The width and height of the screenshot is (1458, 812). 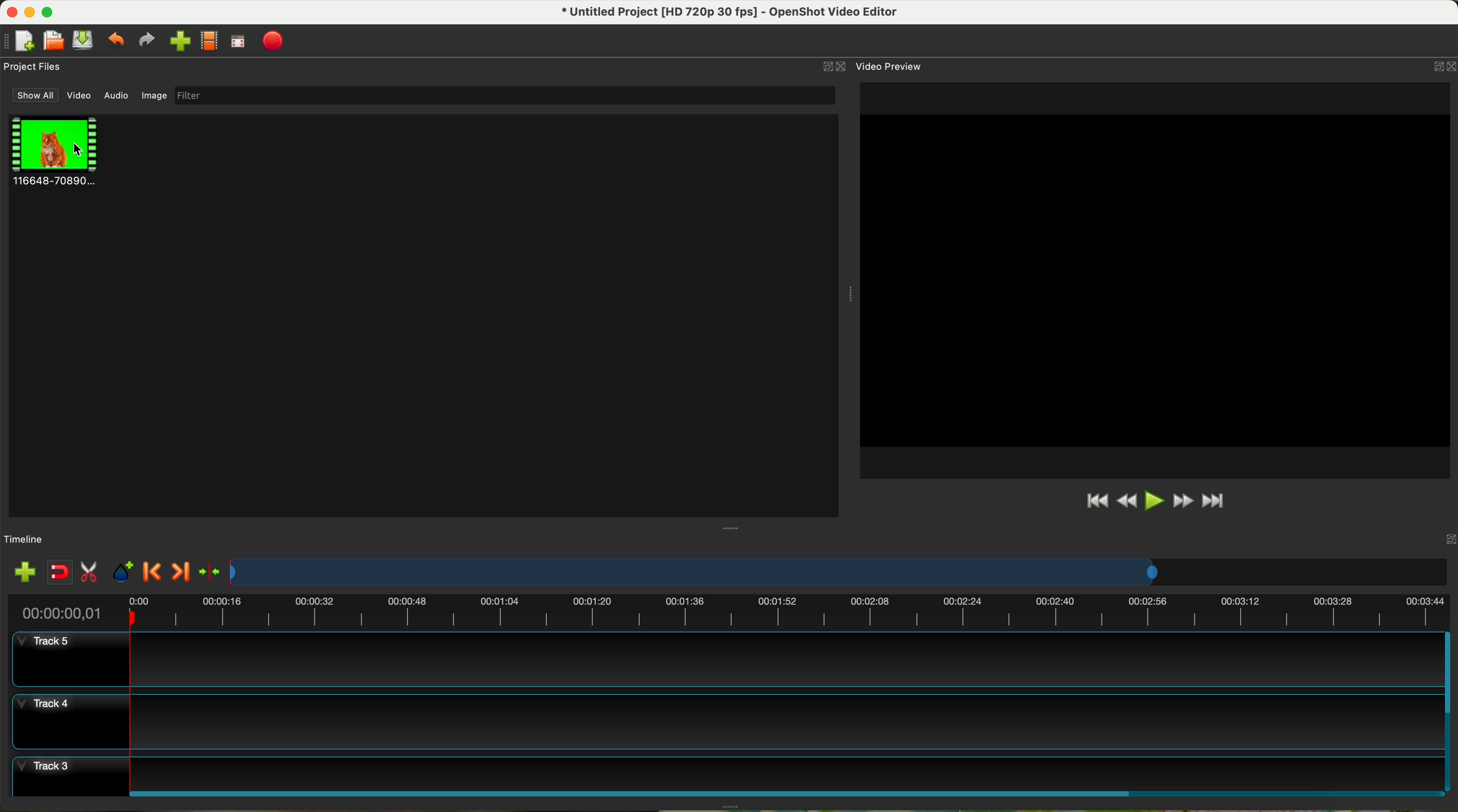 I want to click on save project, so click(x=84, y=40).